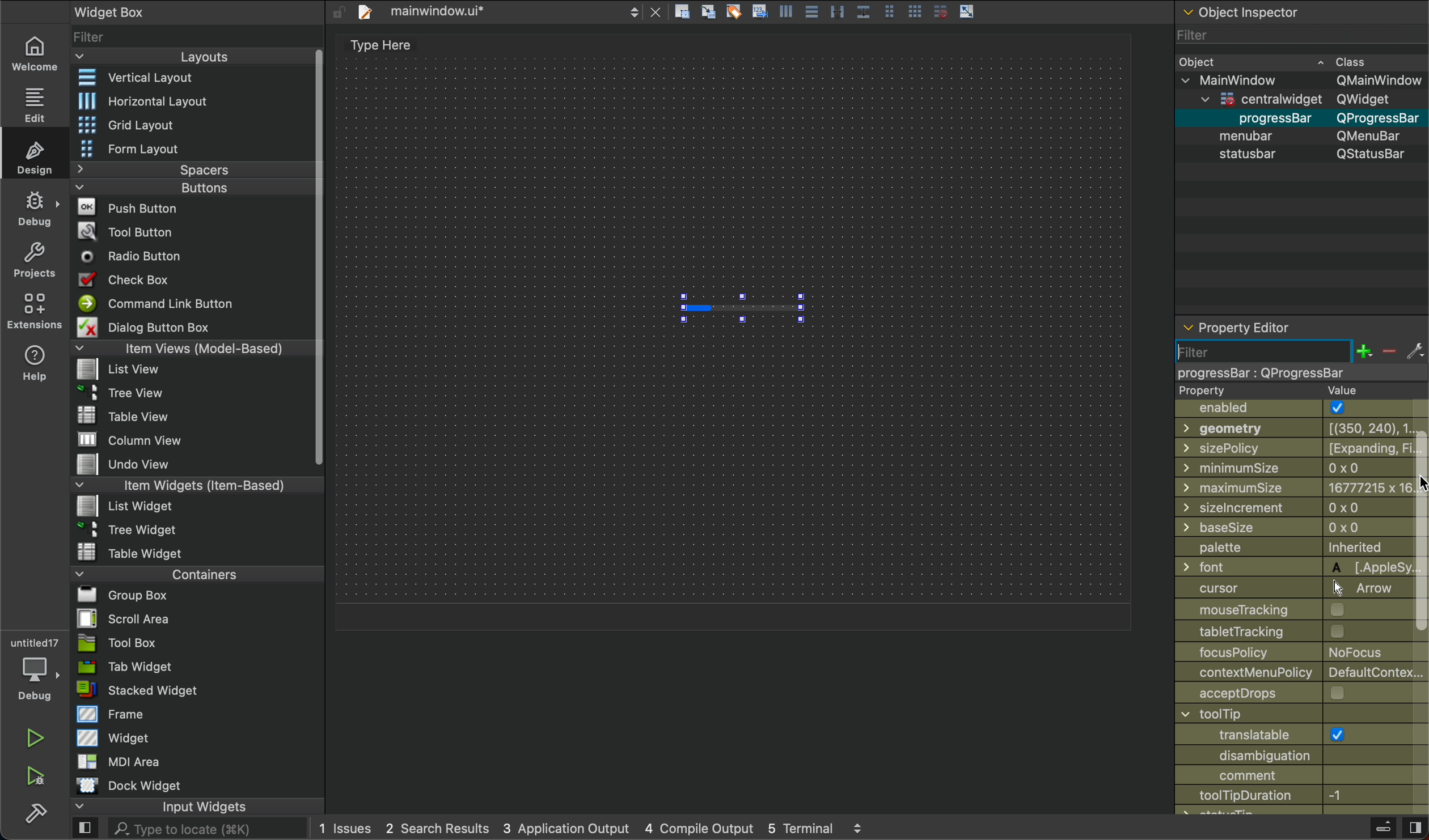 Image resolution: width=1429 pixels, height=840 pixels. What do you see at coordinates (188, 347) in the screenshot?
I see `Items View` at bounding box center [188, 347].